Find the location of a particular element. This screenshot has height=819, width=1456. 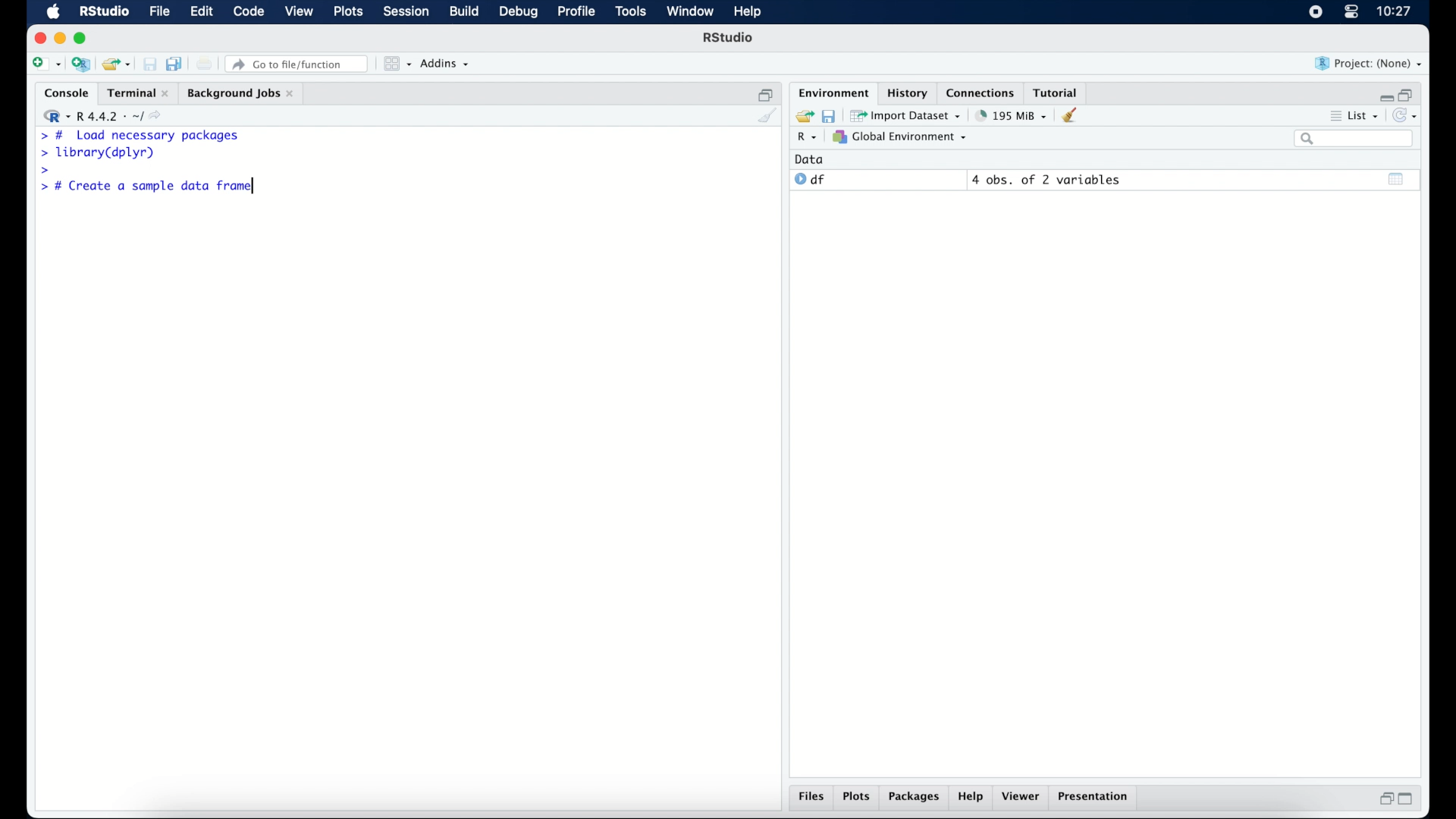

global environment is located at coordinates (900, 137).